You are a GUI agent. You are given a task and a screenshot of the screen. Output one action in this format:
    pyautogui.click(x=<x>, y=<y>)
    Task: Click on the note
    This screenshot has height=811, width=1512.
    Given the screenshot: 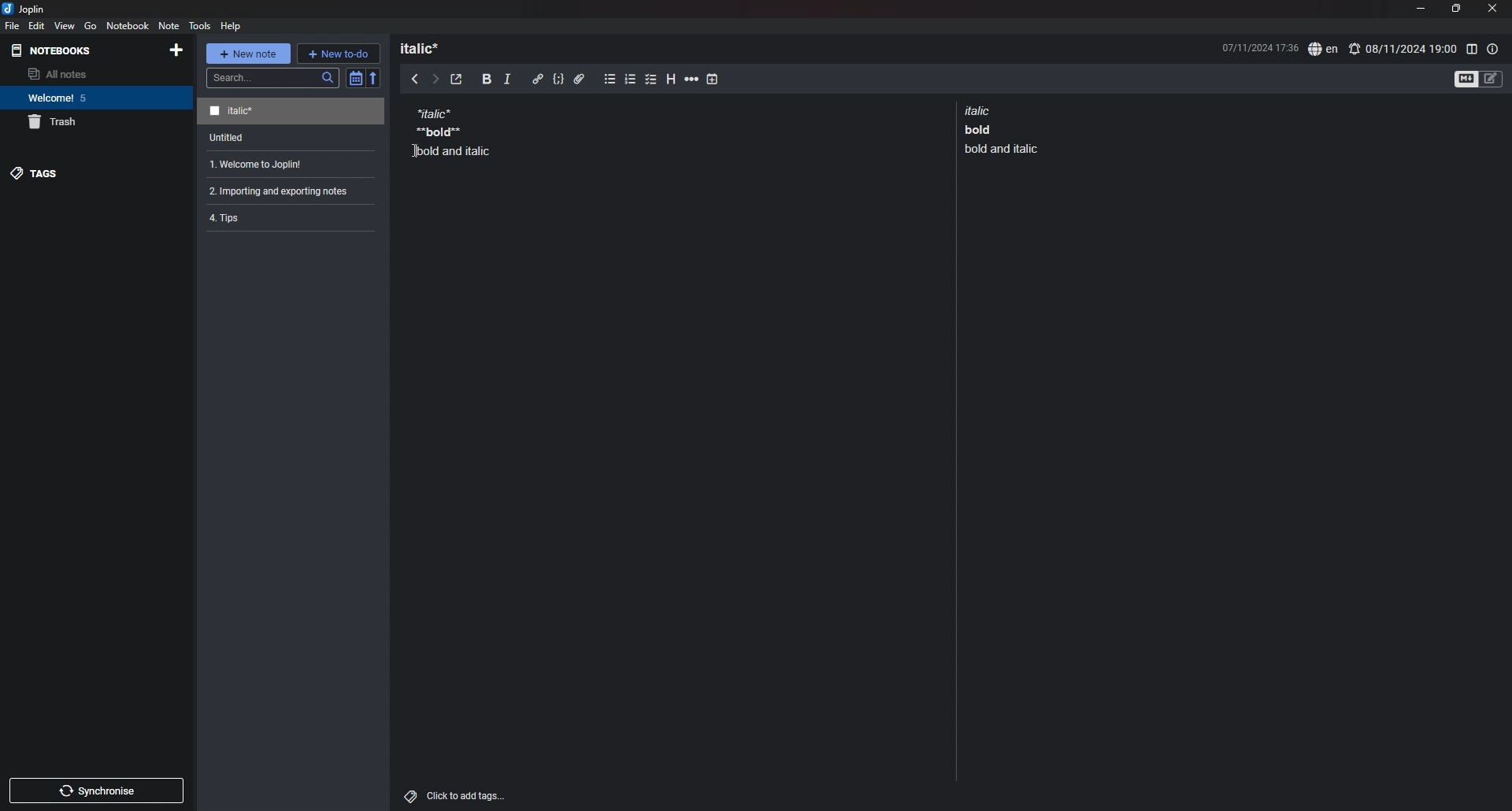 What is the action you would take?
    pyautogui.click(x=1005, y=129)
    